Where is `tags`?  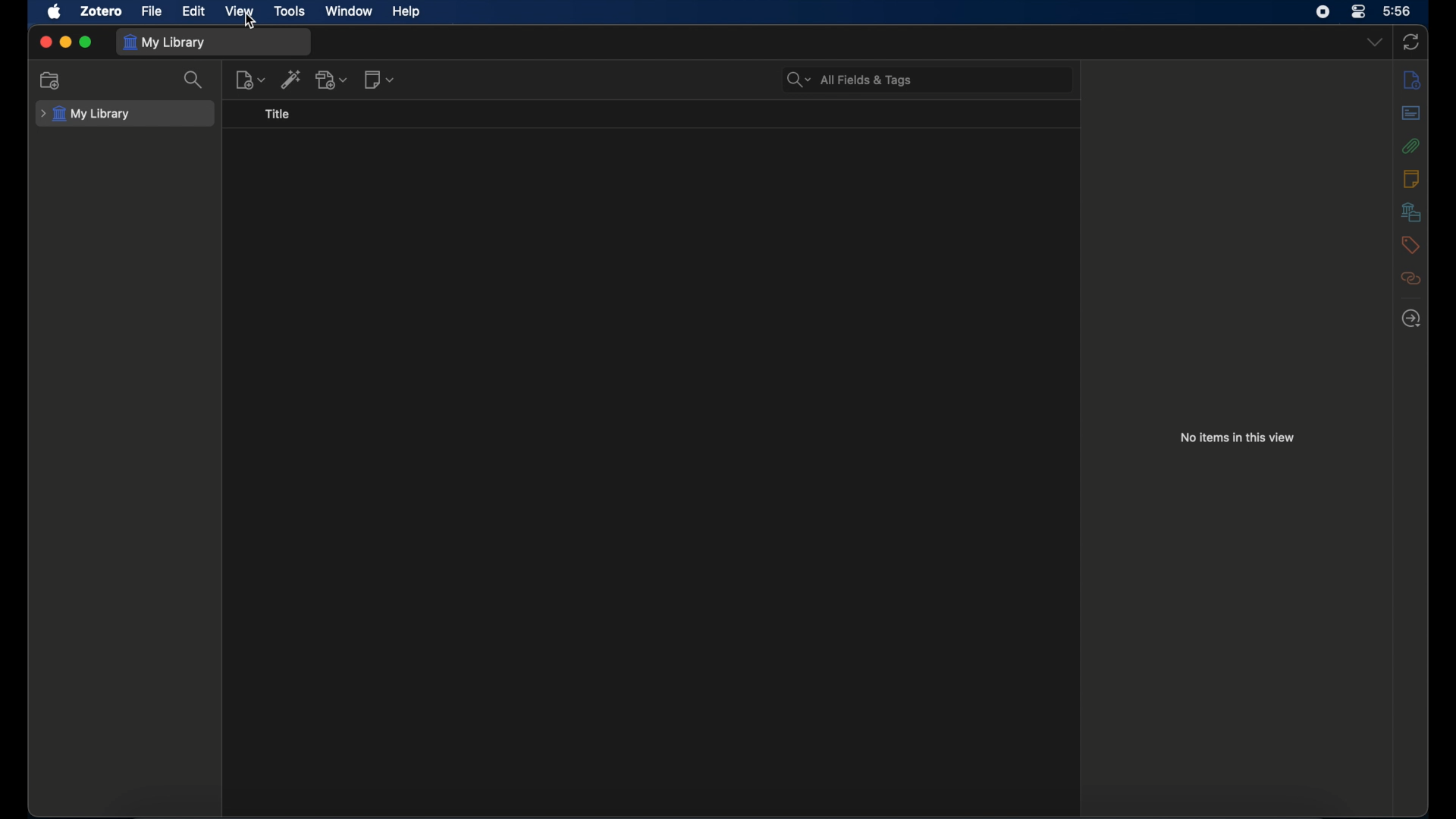 tags is located at coordinates (1410, 245).